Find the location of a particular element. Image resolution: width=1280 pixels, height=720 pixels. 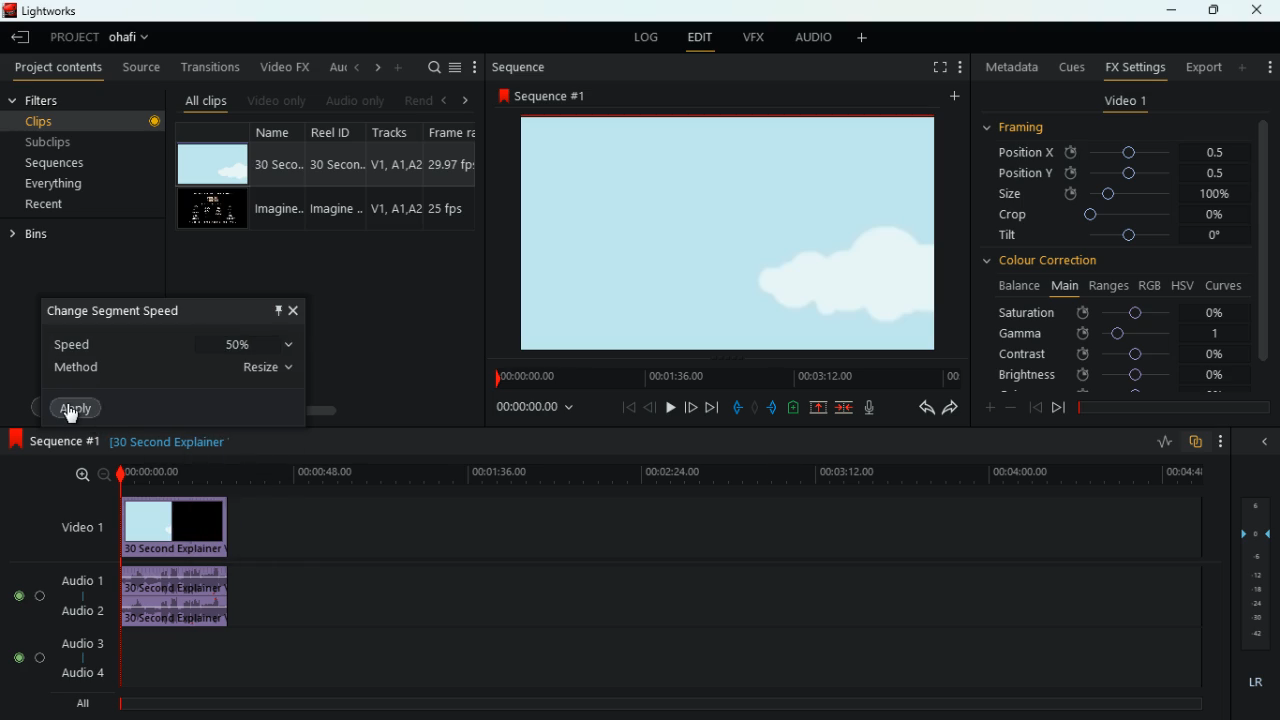

everything is located at coordinates (73, 187).